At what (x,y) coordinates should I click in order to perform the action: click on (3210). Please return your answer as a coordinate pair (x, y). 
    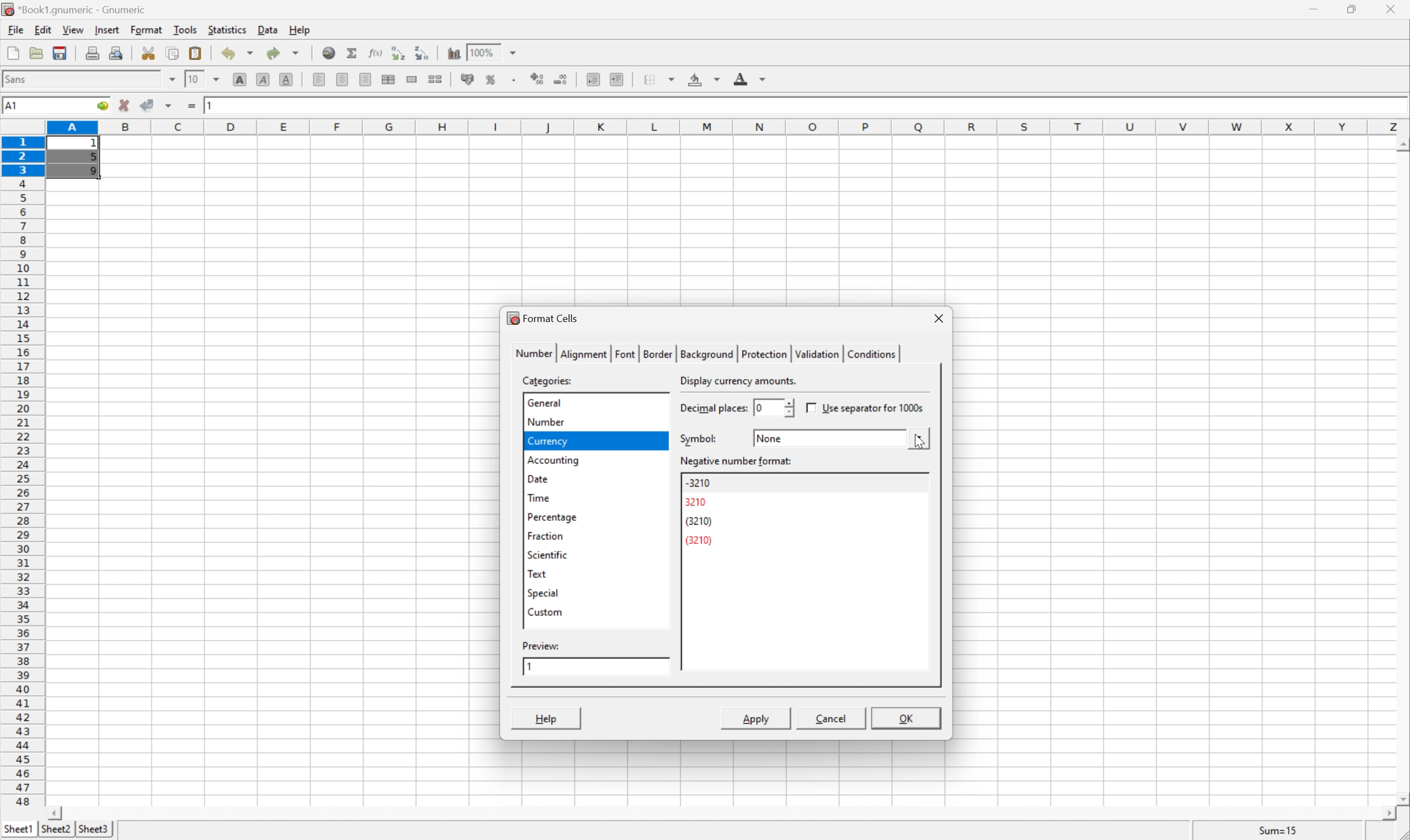
    Looking at the image, I should click on (700, 521).